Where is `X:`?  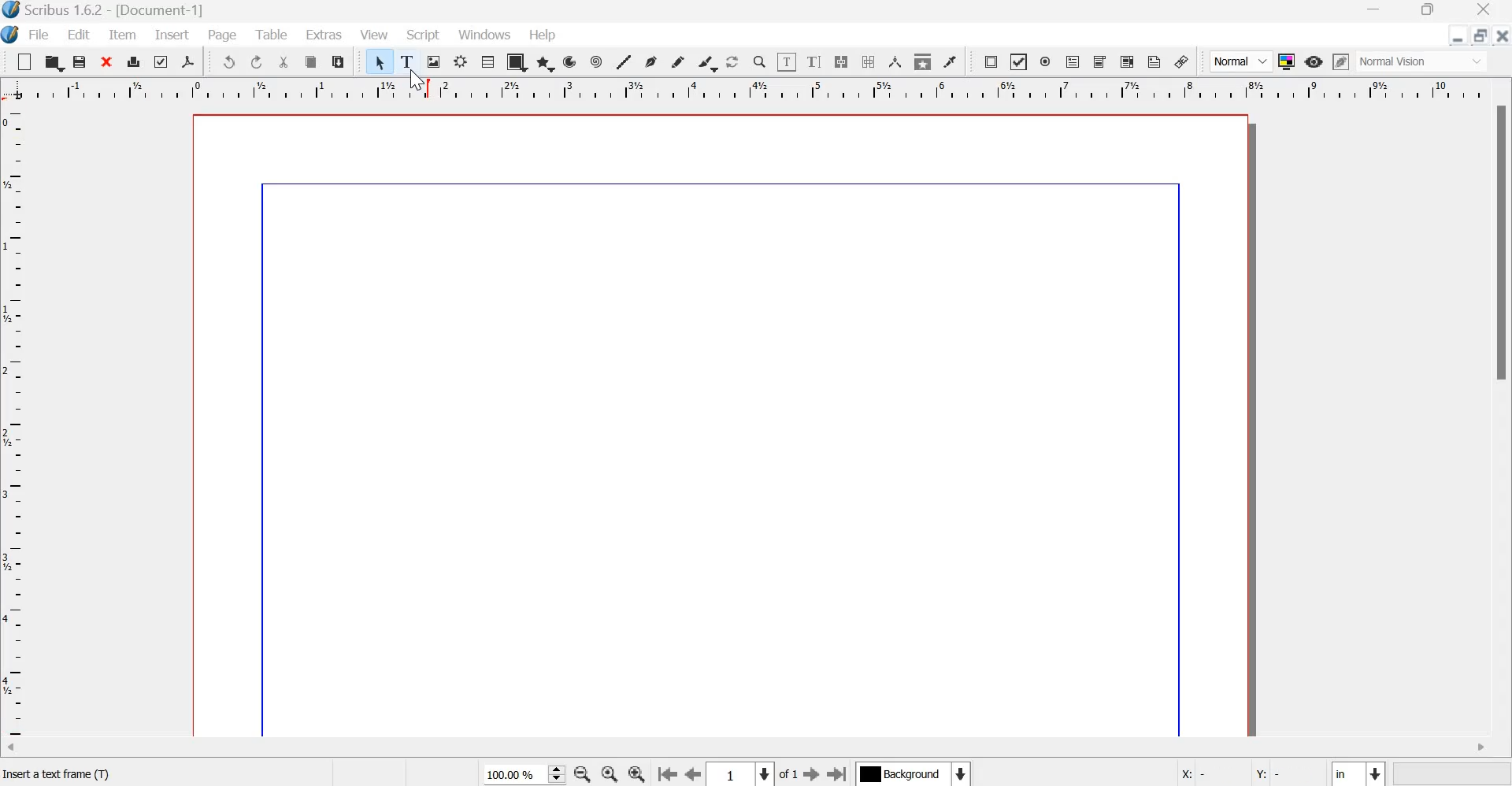
X: is located at coordinates (1192, 771).